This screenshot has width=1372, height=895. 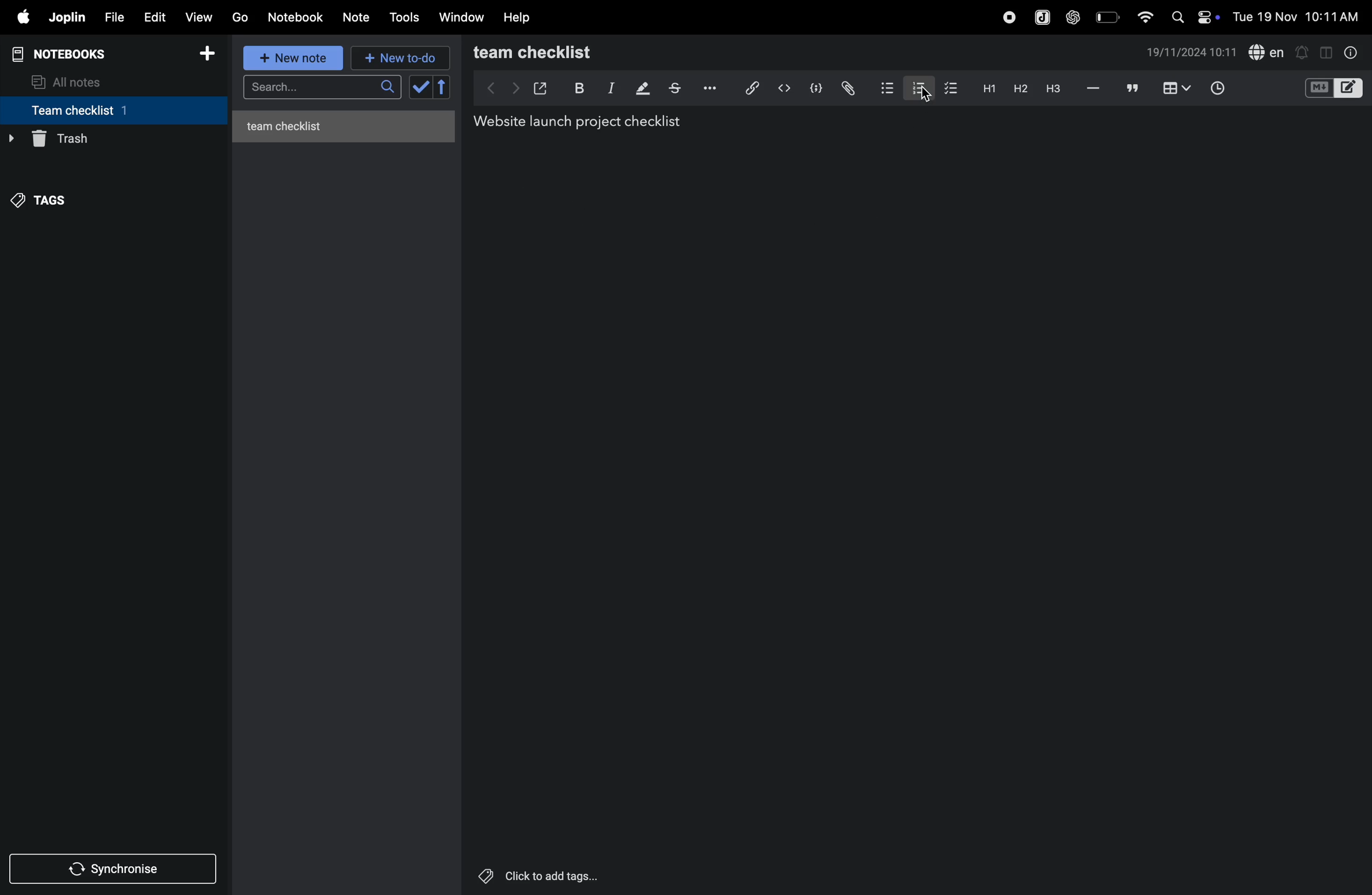 What do you see at coordinates (398, 58) in the screenshot?
I see `new to d0` at bounding box center [398, 58].